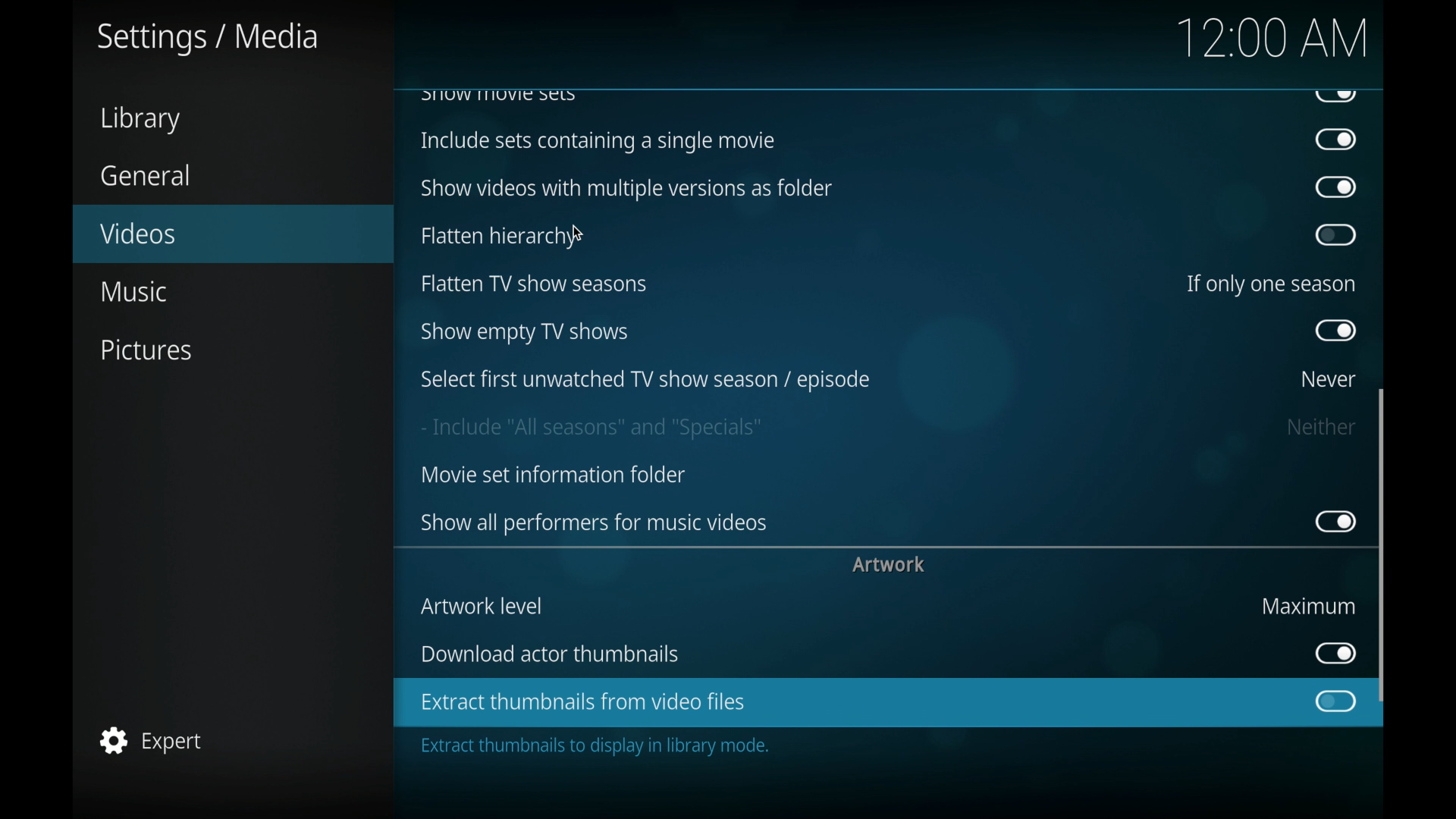  What do you see at coordinates (1382, 547) in the screenshot?
I see `scroll box` at bounding box center [1382, 547].